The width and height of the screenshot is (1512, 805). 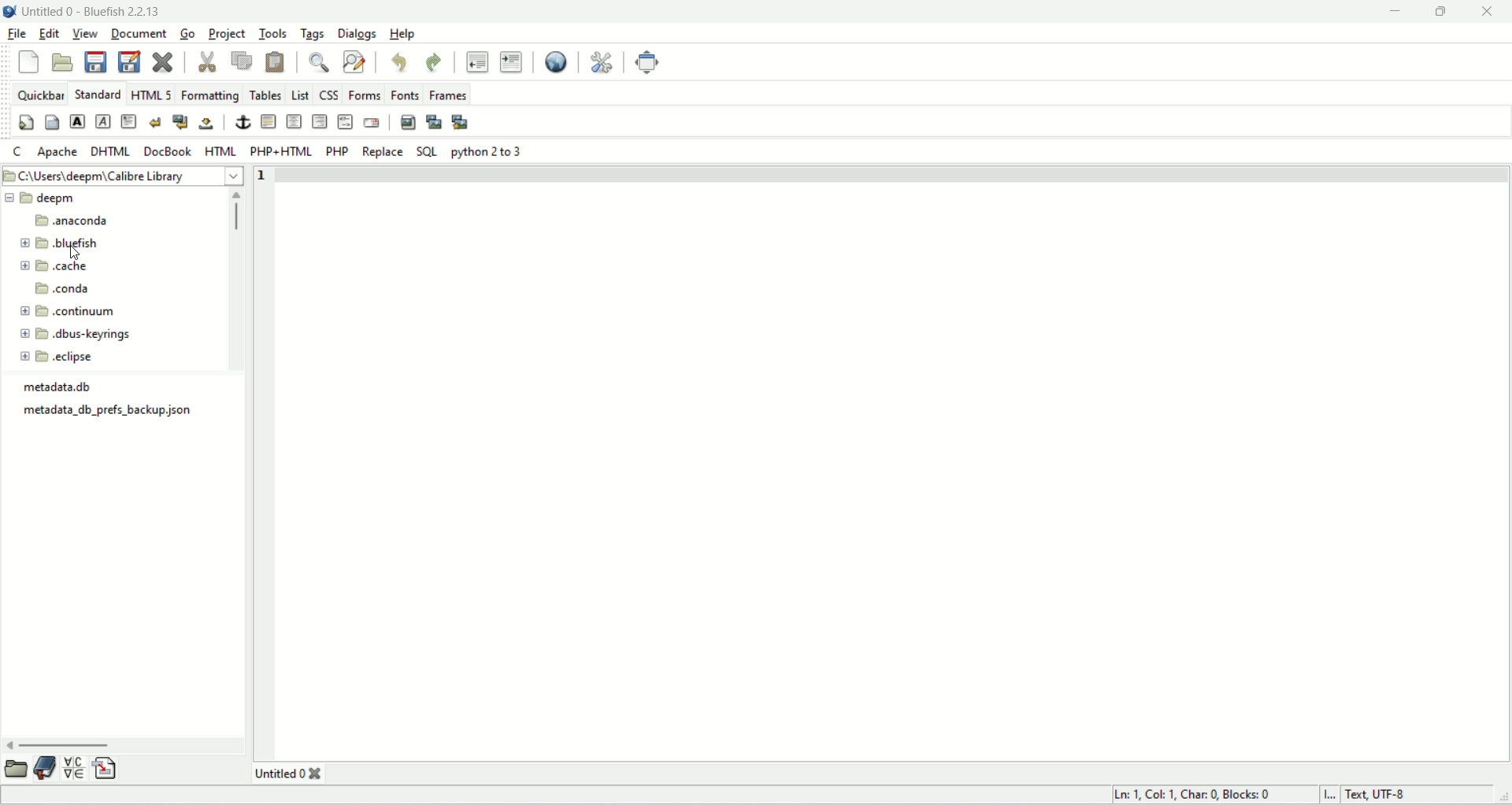 I want to click on apache, so click(x=57, y=153).